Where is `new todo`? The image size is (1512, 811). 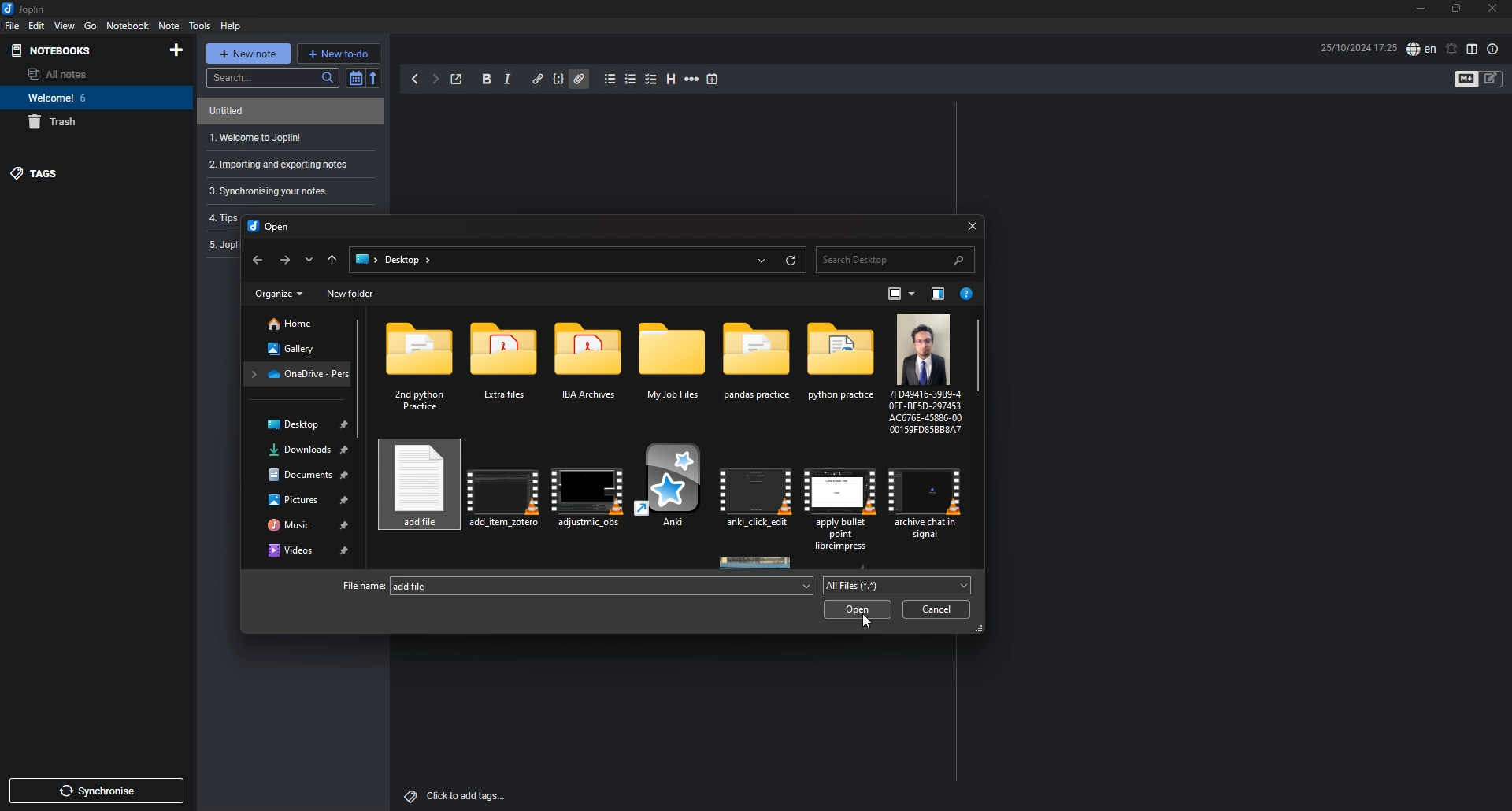
new todo is located at coordinates (338, 53).